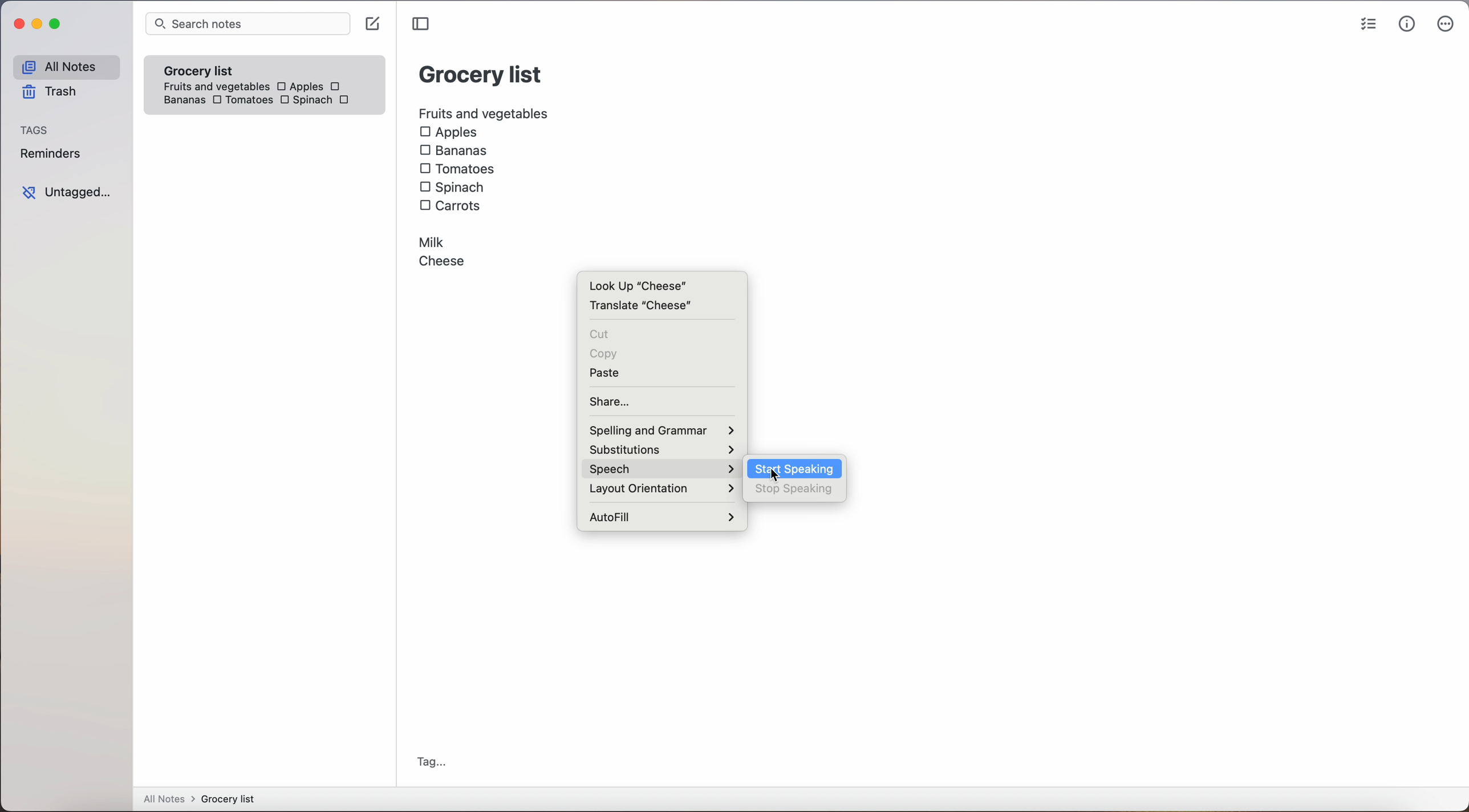  Describe the element at coordinates (39, 23) in the screenshot. I see `minimize` at that location.